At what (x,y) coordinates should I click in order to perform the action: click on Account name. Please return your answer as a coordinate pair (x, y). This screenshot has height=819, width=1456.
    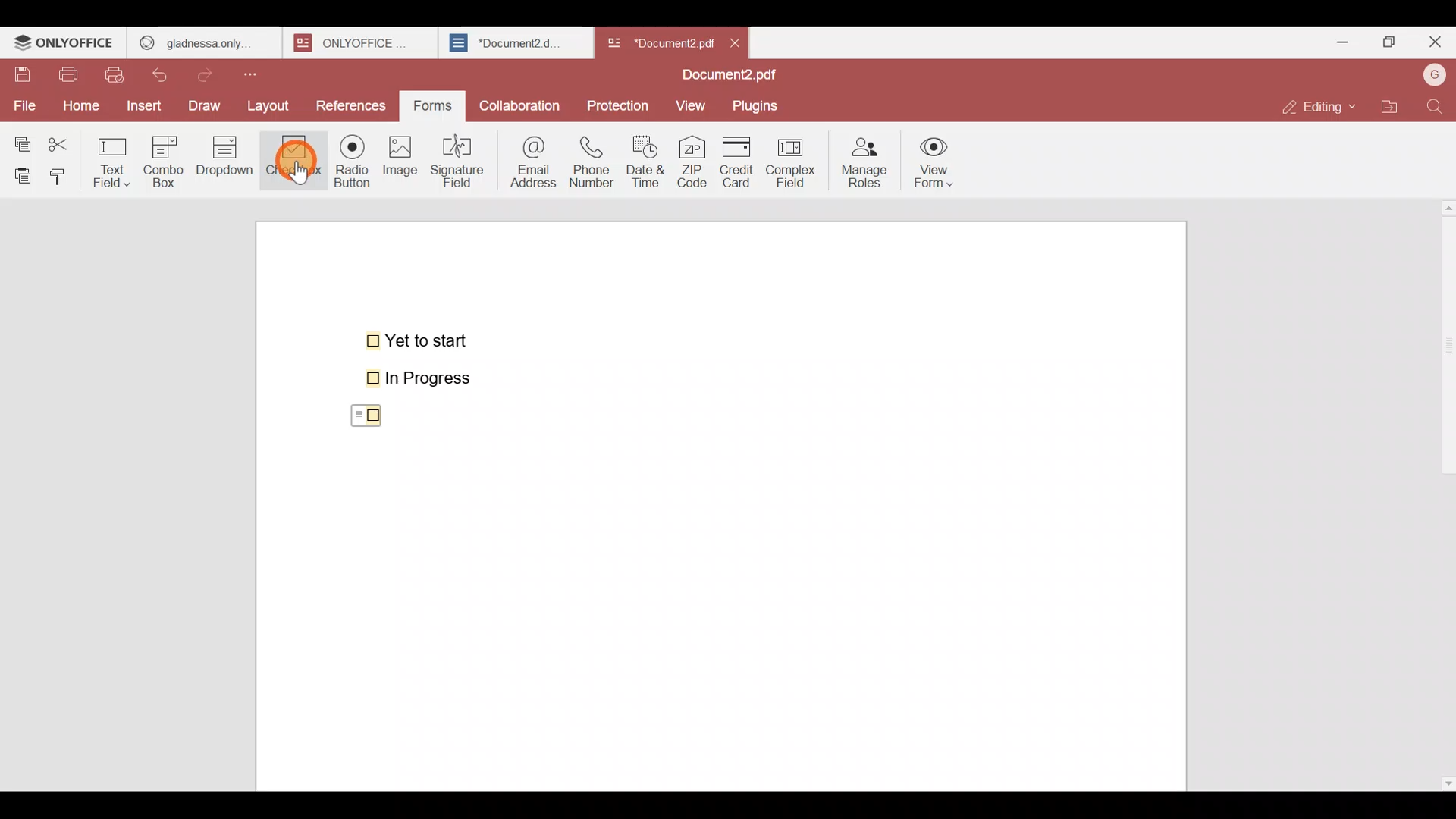
    Looking at the image, I should click on (1434, 74).